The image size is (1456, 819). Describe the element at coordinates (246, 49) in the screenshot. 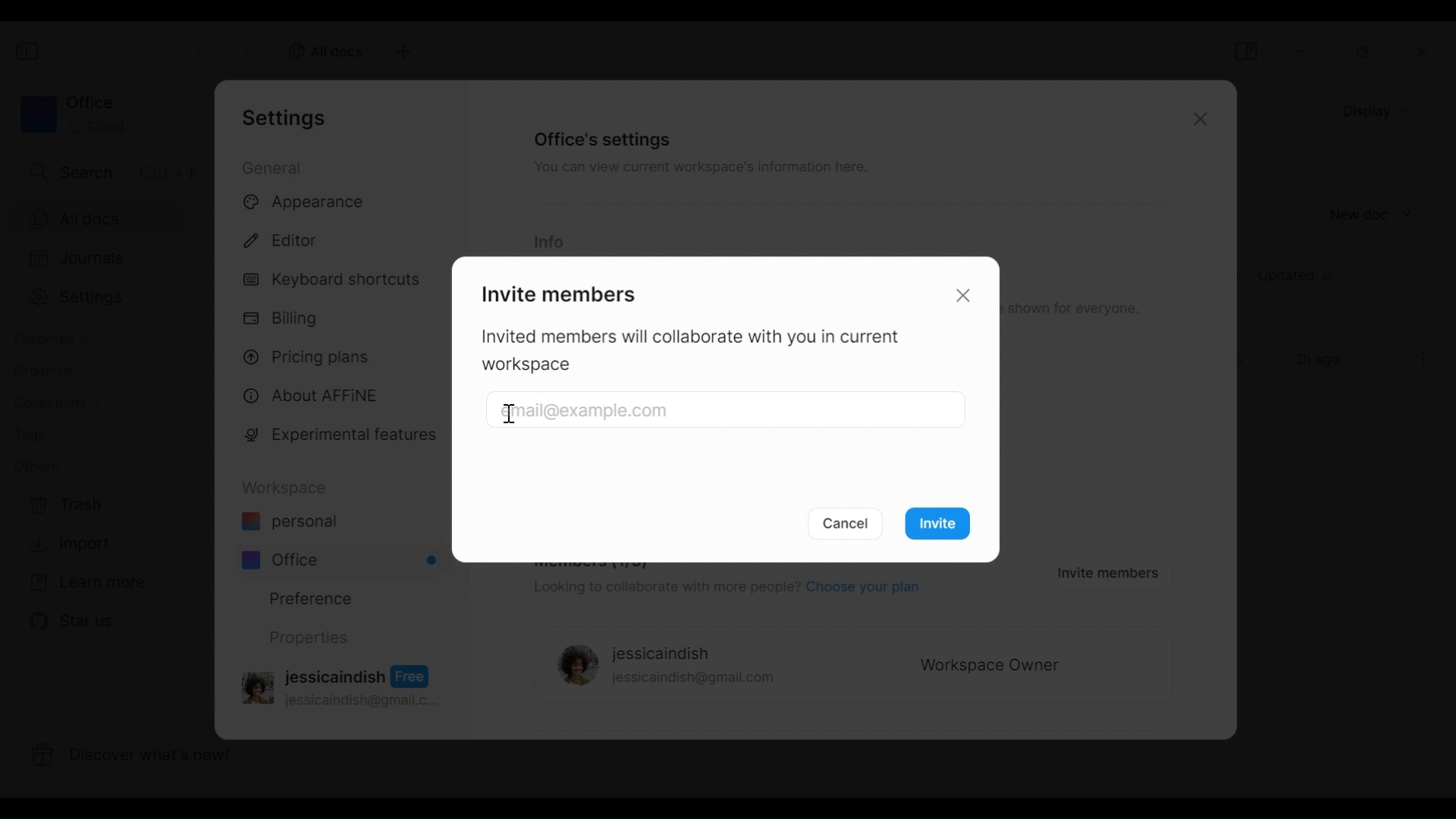

I see `Go Forward` at that location.